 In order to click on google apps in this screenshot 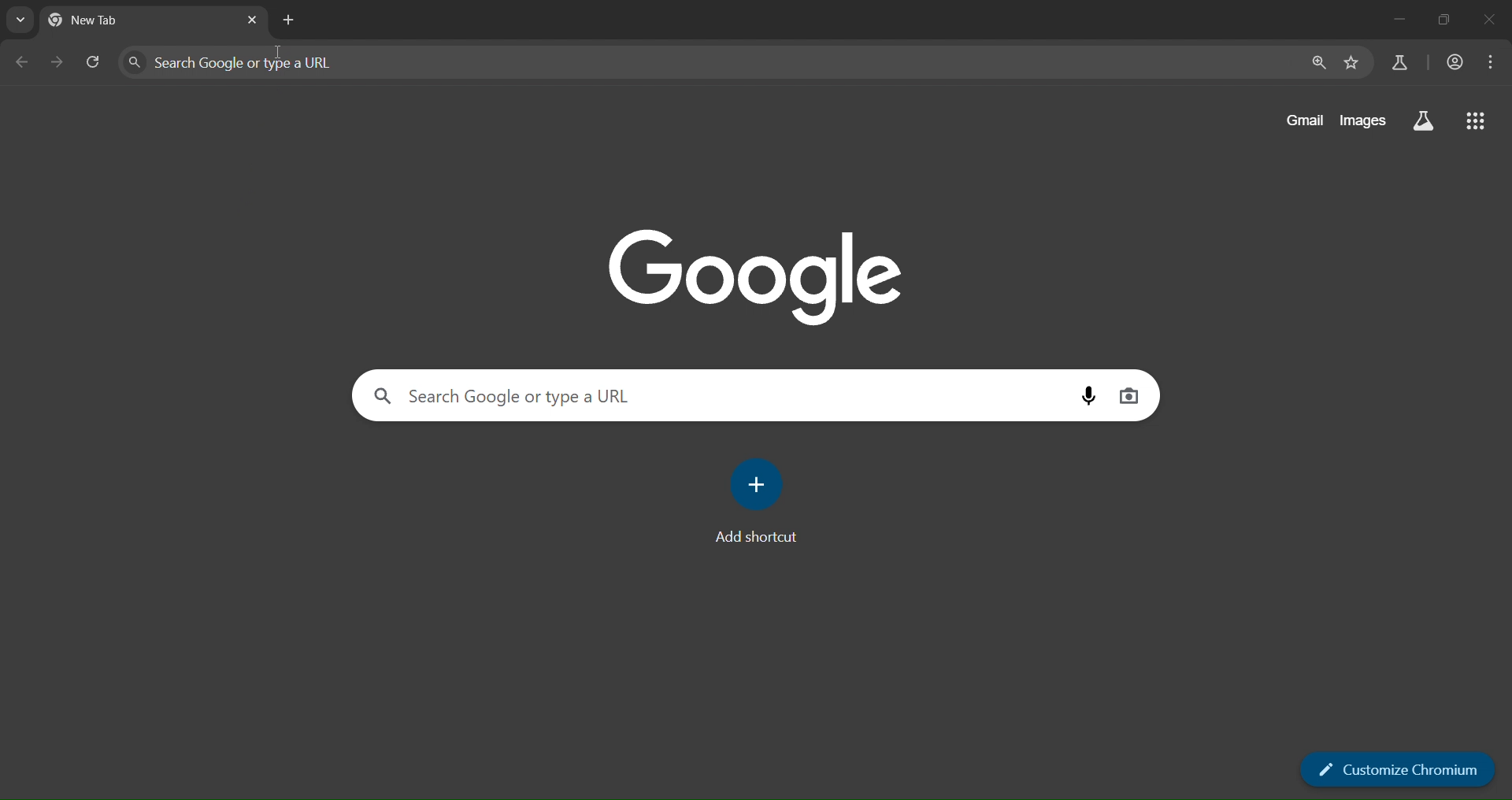, I will do `click(1477, 122)`.